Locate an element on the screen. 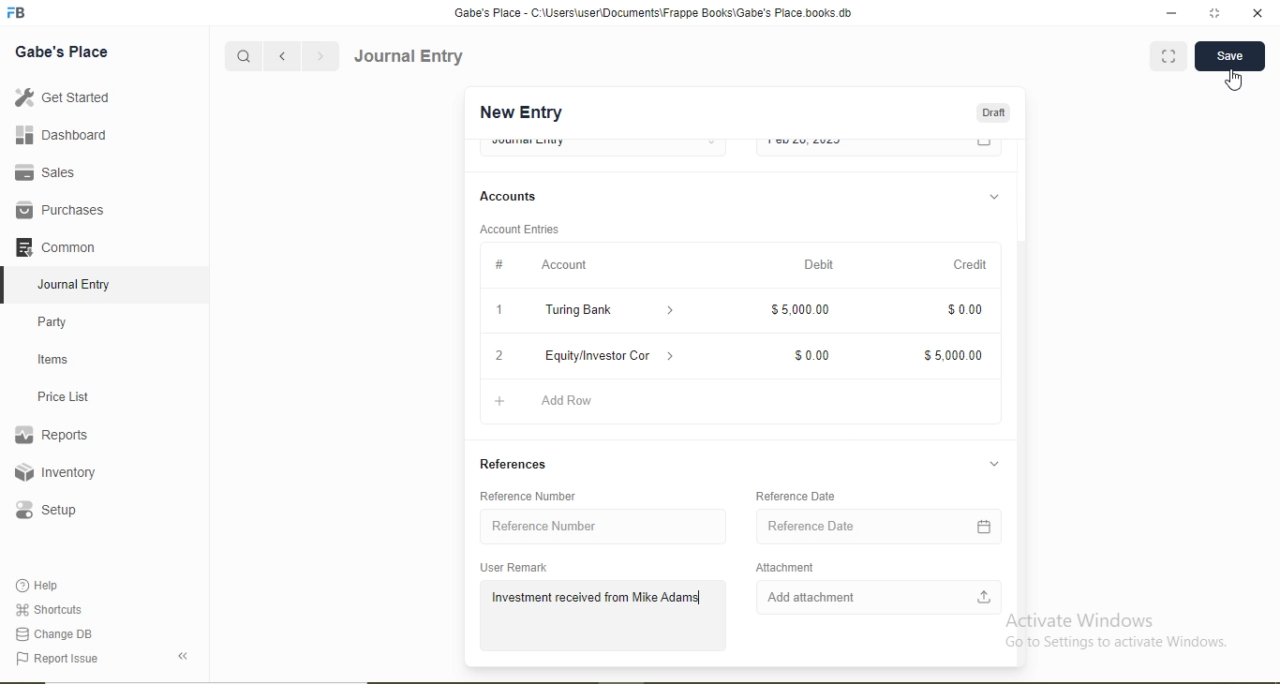  ‘Gabe's Place - C:\Users\useriDocuments\Frappe Books\Gabe's Place books db is located at coordinates (652, 13).